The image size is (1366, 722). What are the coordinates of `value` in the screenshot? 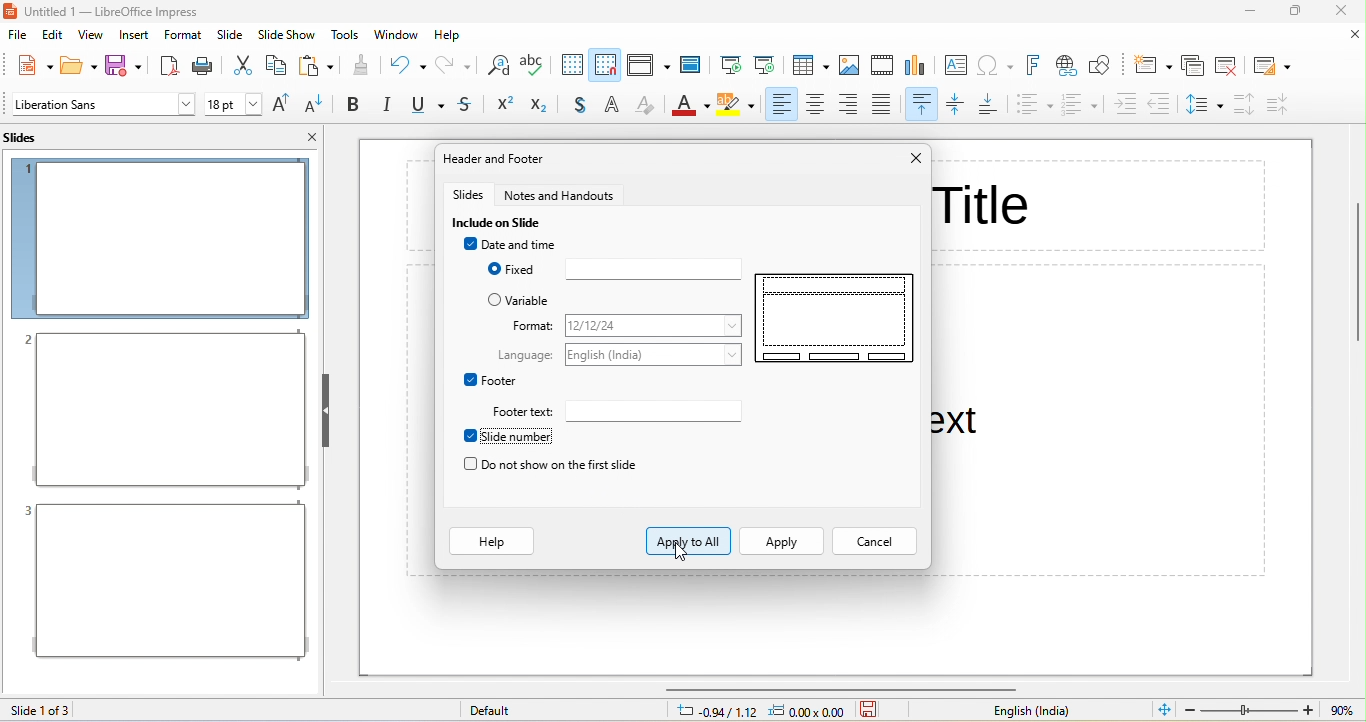 It's located at (1340, 710).